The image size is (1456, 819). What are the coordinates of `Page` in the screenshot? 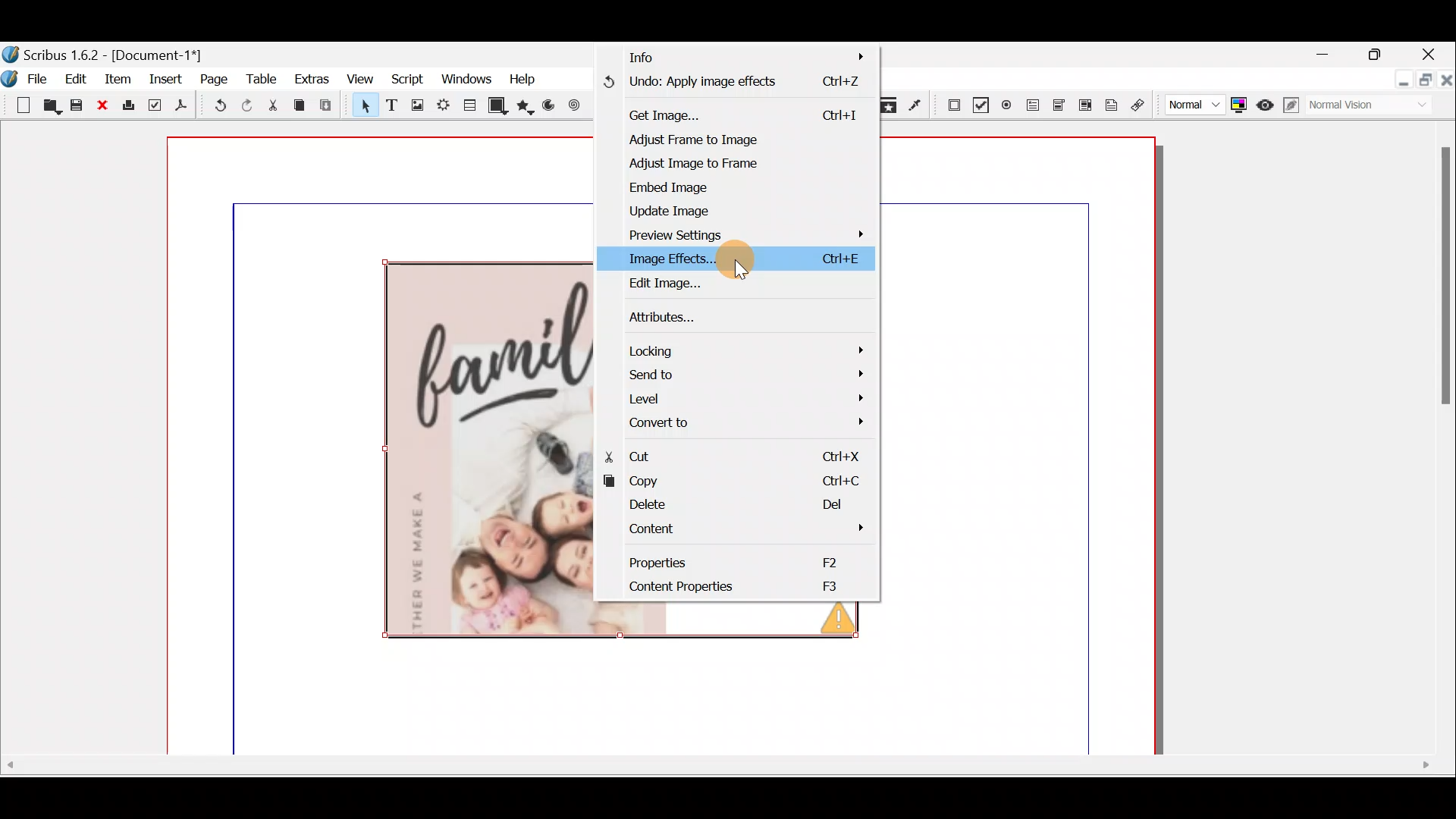 It's located at (213, 81).